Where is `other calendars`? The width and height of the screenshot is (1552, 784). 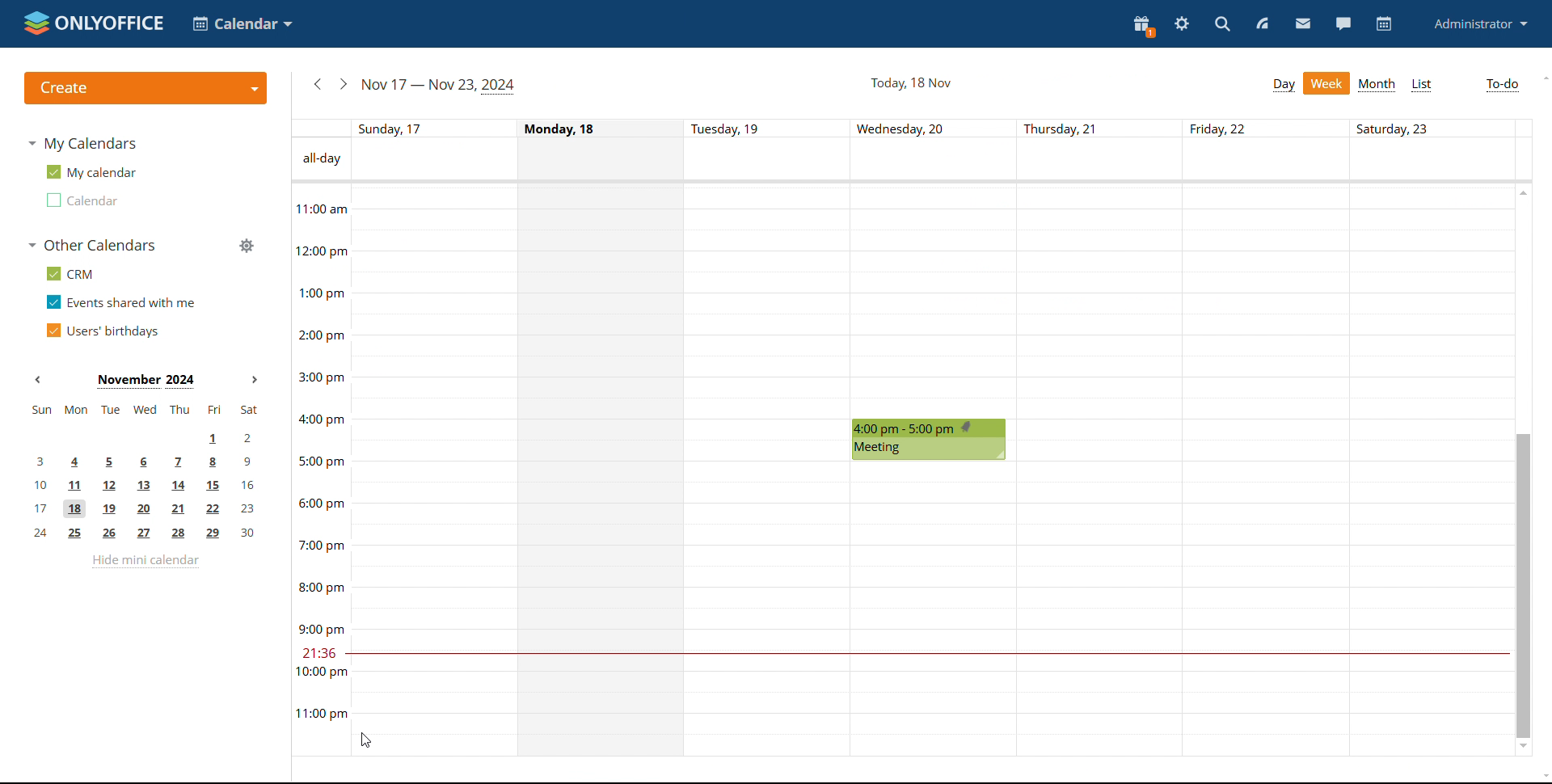
other calendars is located at coordinates (91, 245).